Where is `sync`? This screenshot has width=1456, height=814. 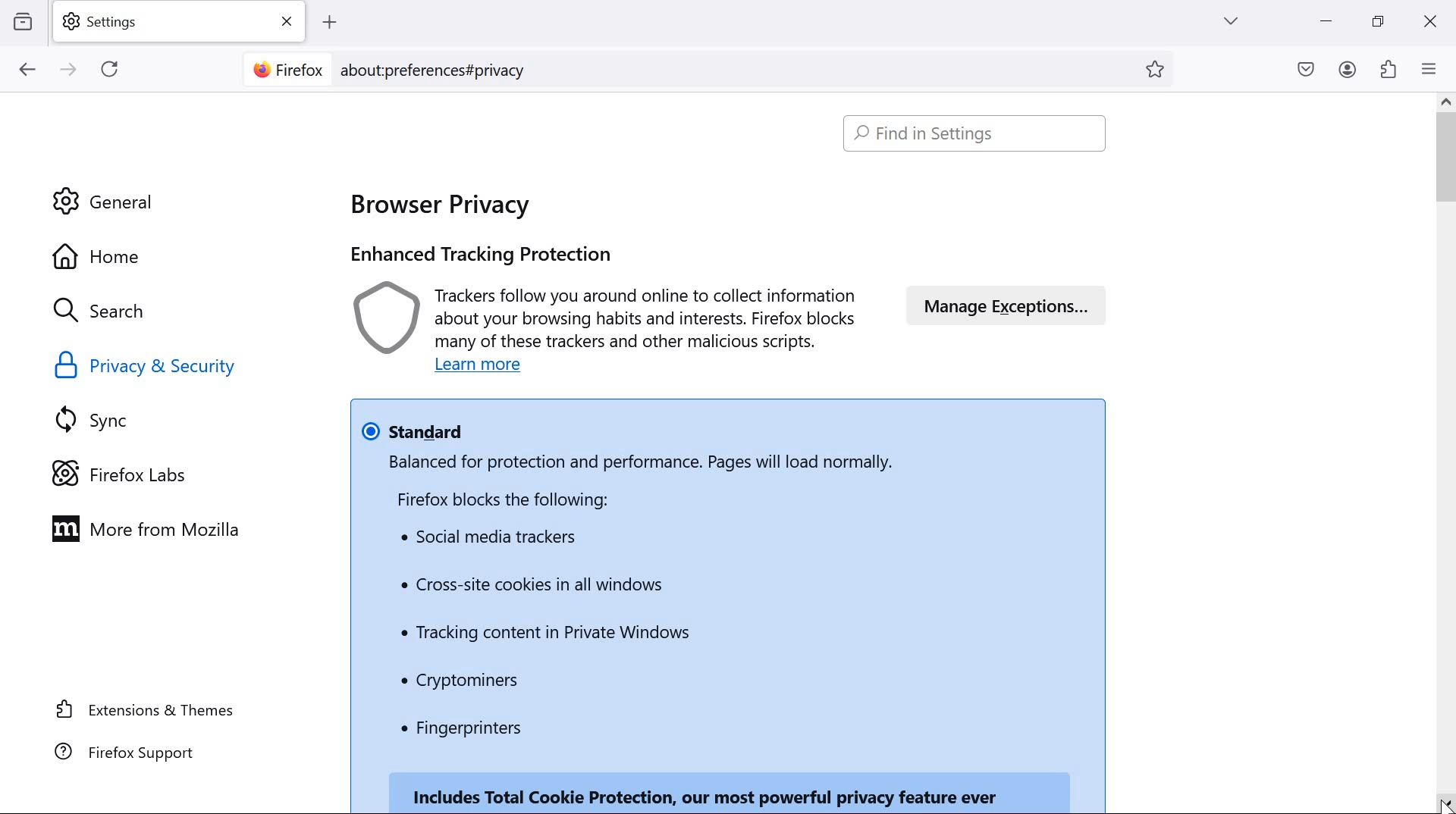 sync is located at coordinates (99, 419).